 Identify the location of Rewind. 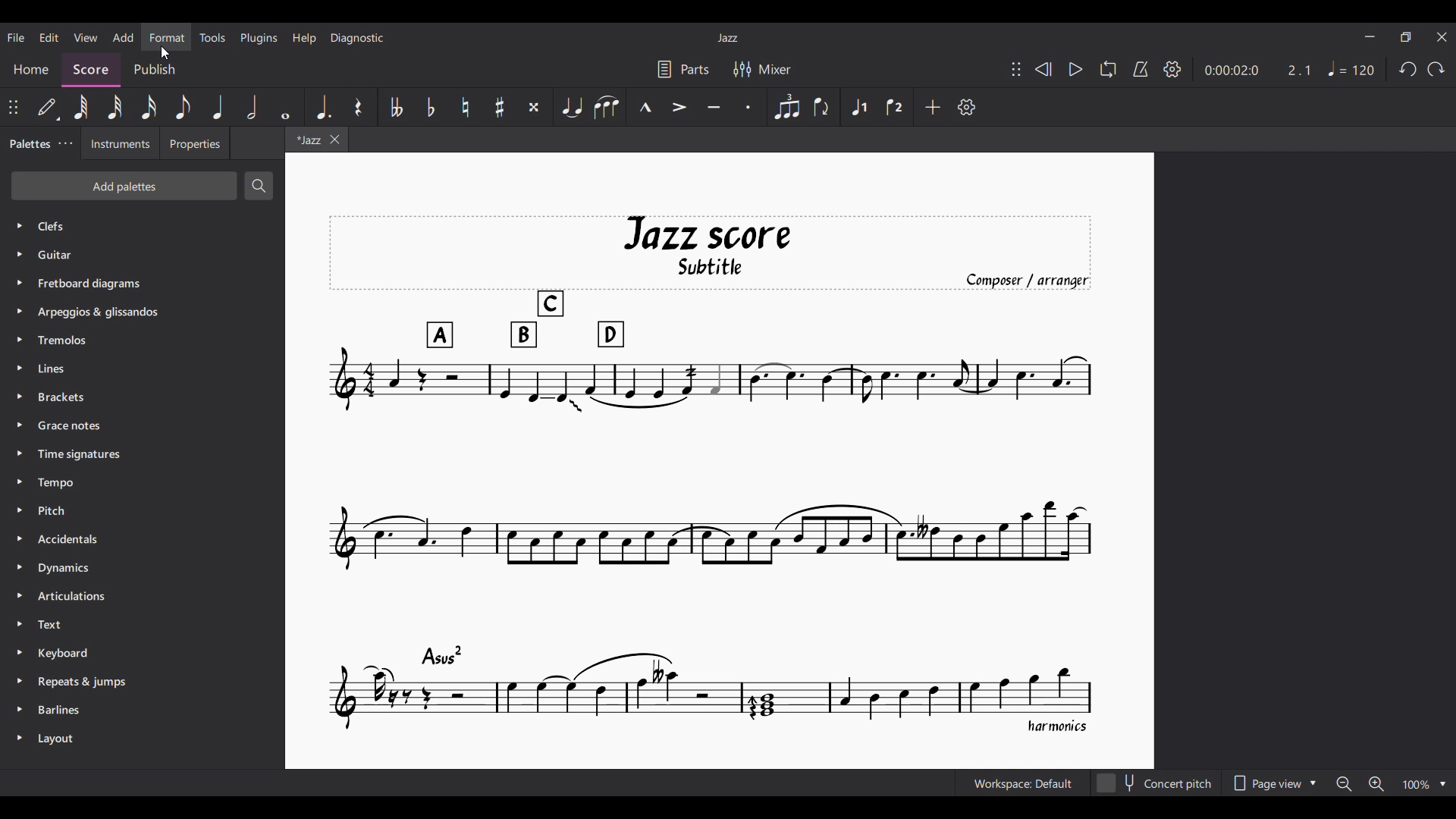
(1043, 69).